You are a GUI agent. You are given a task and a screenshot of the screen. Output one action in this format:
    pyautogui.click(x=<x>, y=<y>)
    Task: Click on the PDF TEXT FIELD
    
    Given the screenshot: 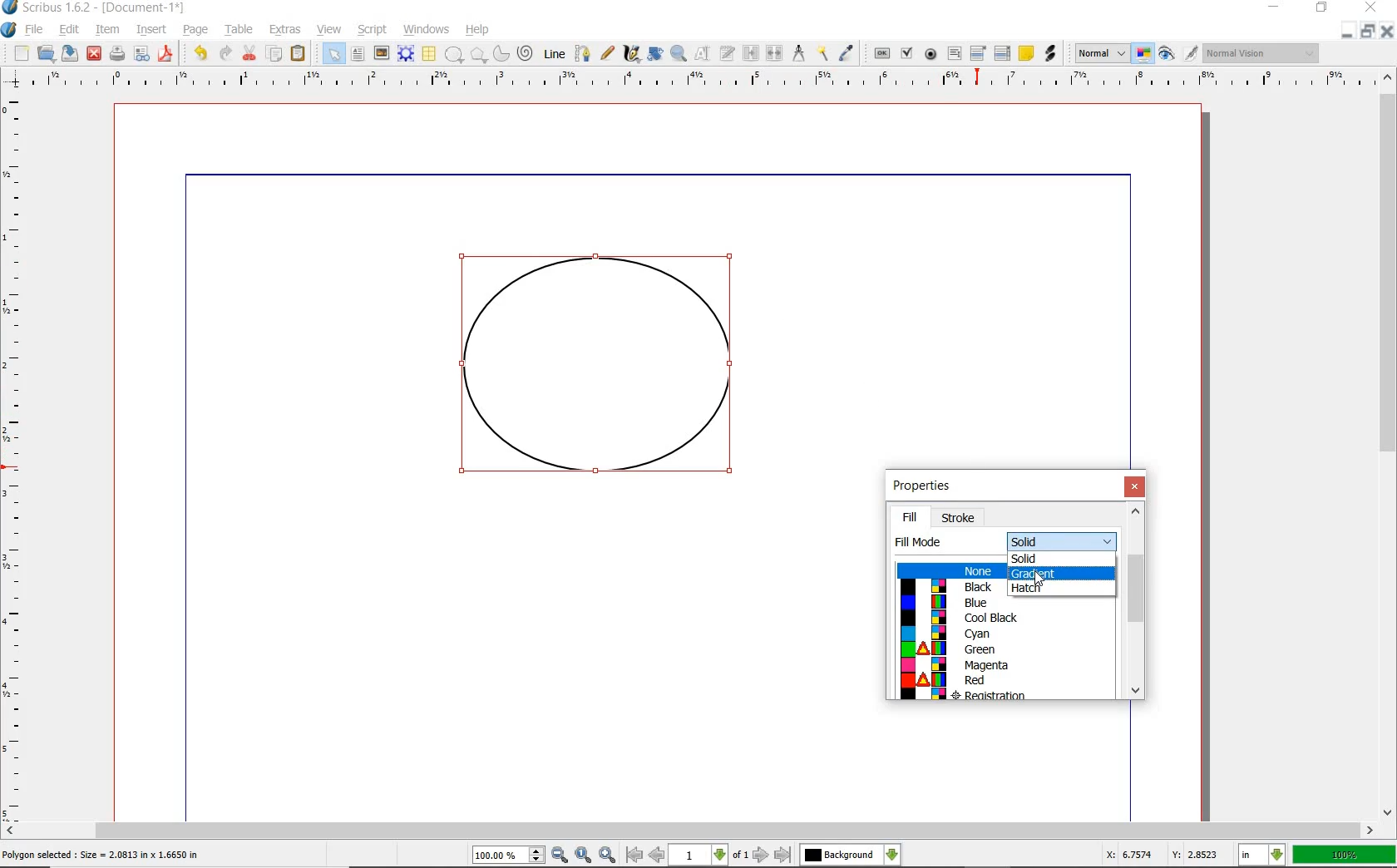 What is the action you would take?
    pyautogui.click(x=954, y=53)
    